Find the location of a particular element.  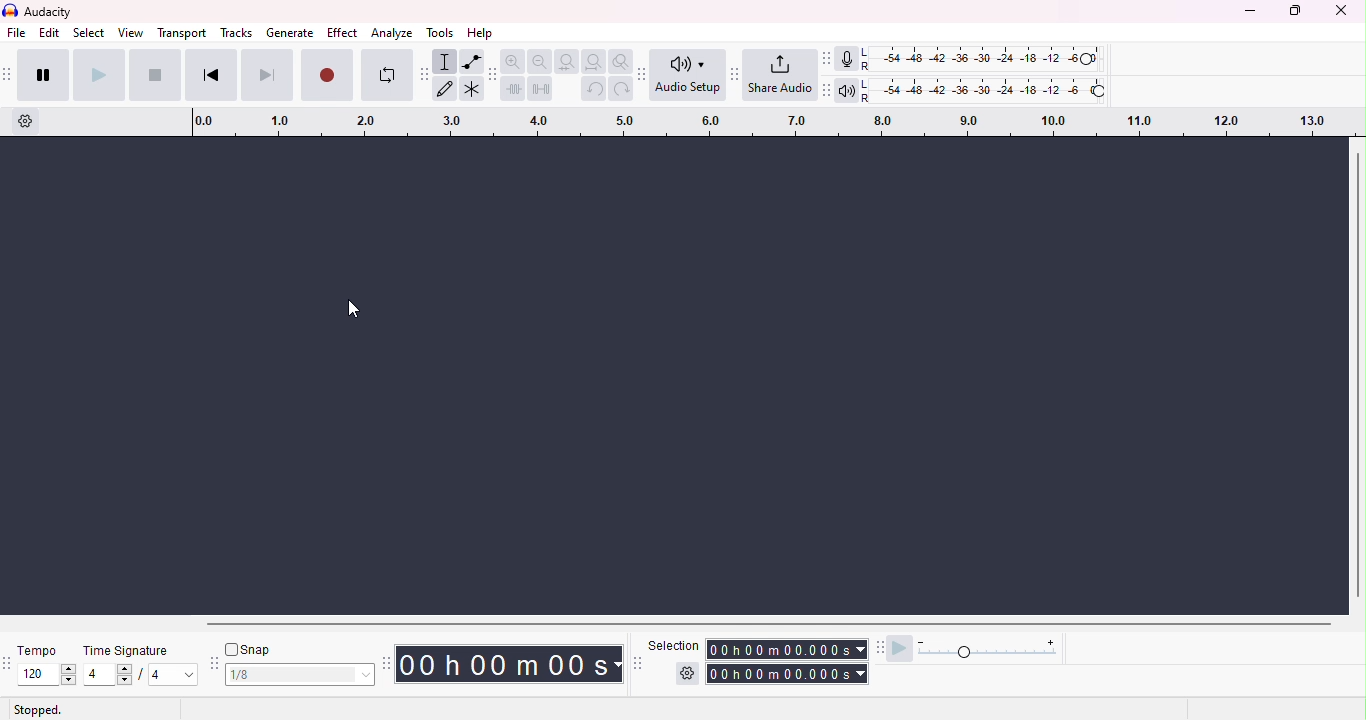

help is located at coordinates (479, 32).